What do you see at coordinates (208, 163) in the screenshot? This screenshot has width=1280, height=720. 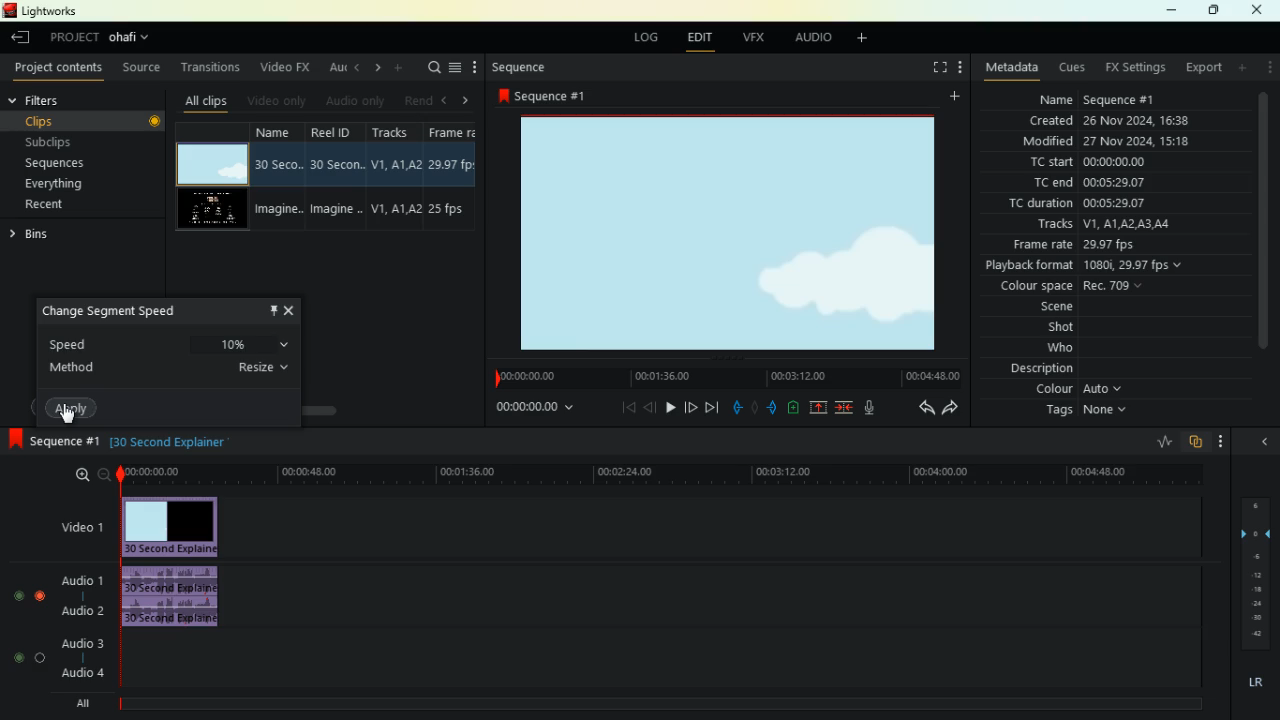 I see `video` at bounding box center [208, 163].